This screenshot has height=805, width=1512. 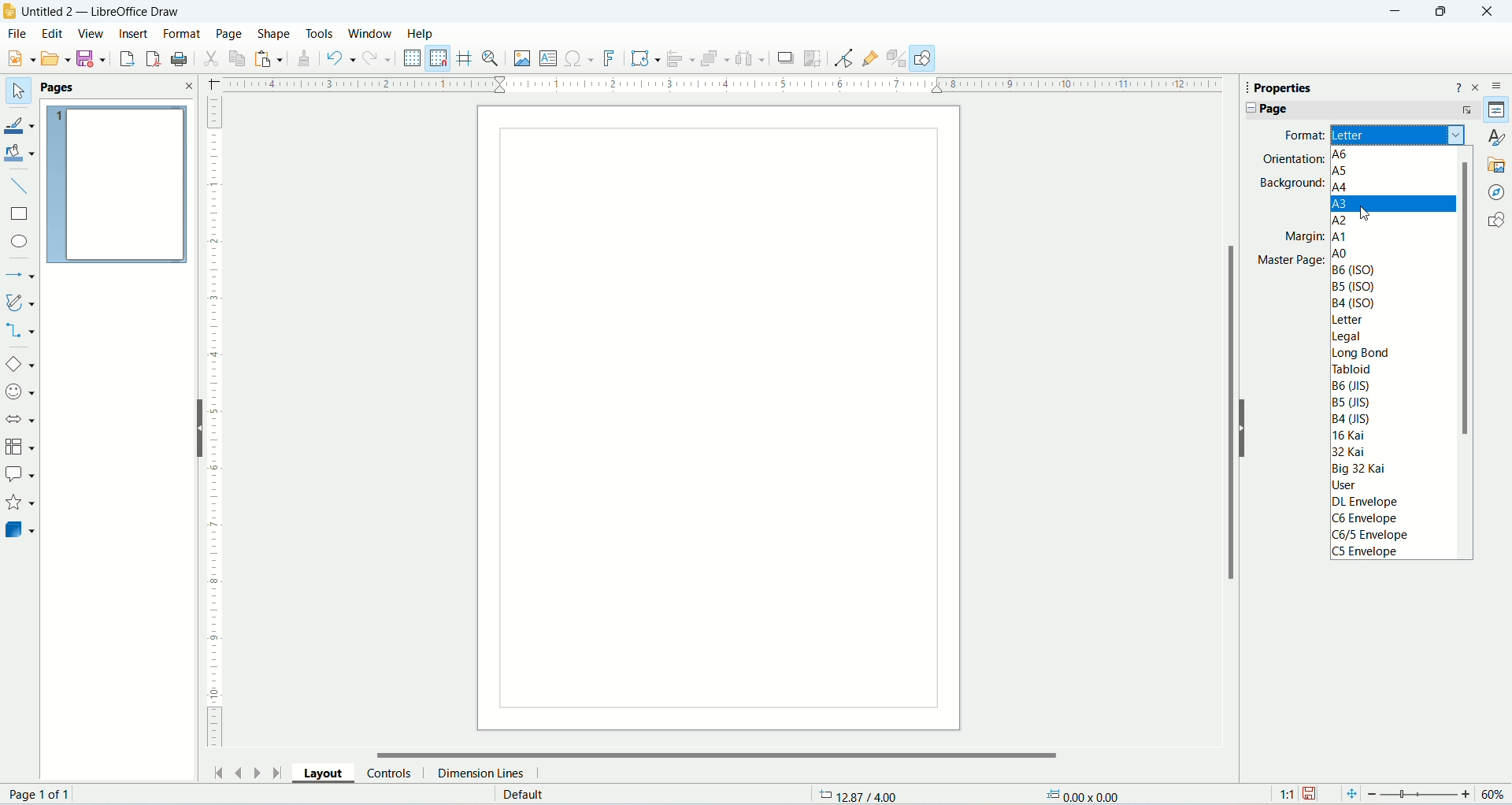 What do you see at coordinates (1475, 88) in the screenshot?
I see `close` at bounding box center [1475, 88].